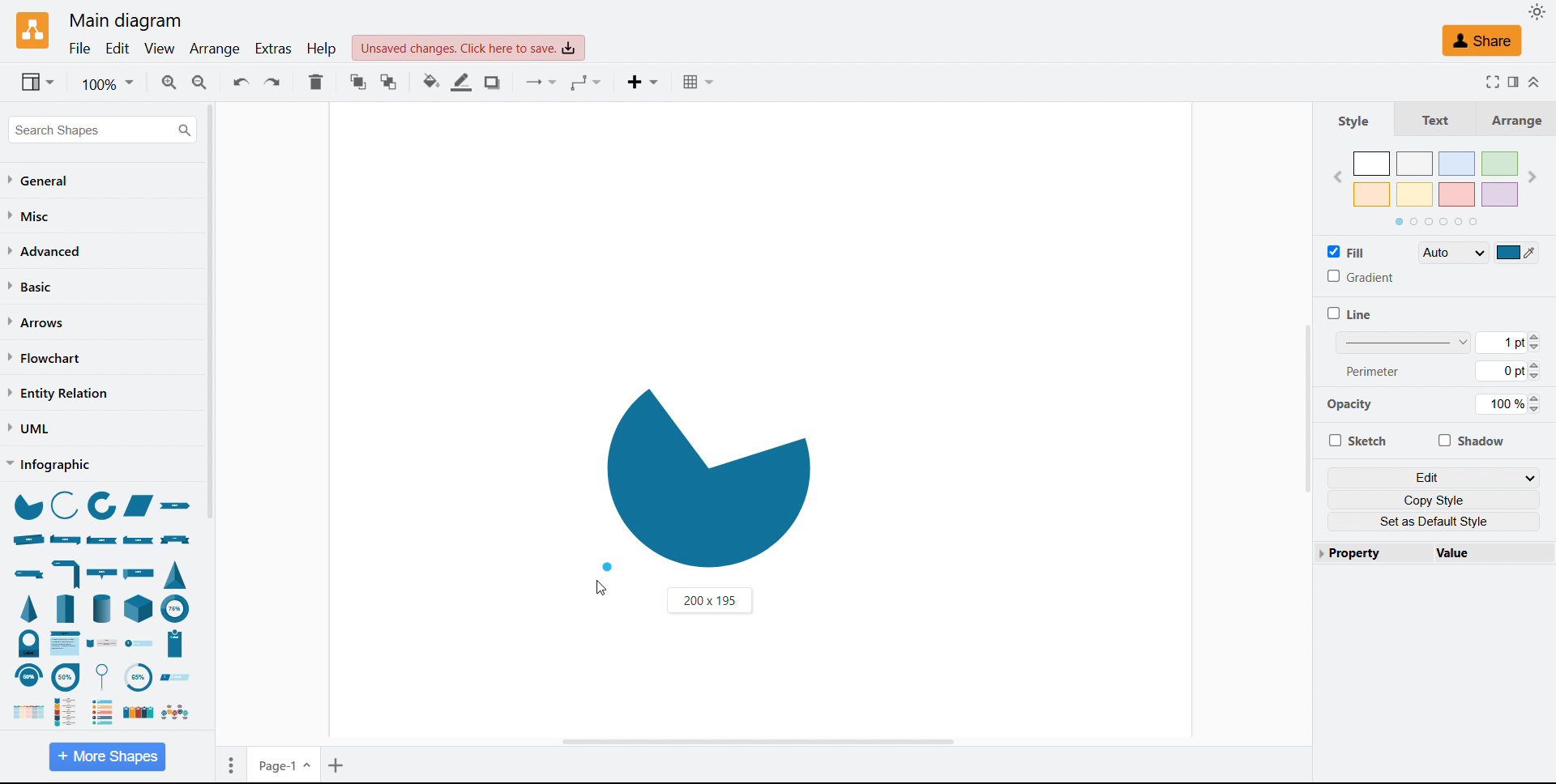 The width and height of the screenshot is (1556, 784). What do you see at coordinates (103, 645) in the screenshot?
I see `roadmap vertical` at bounding box center [103, 645].